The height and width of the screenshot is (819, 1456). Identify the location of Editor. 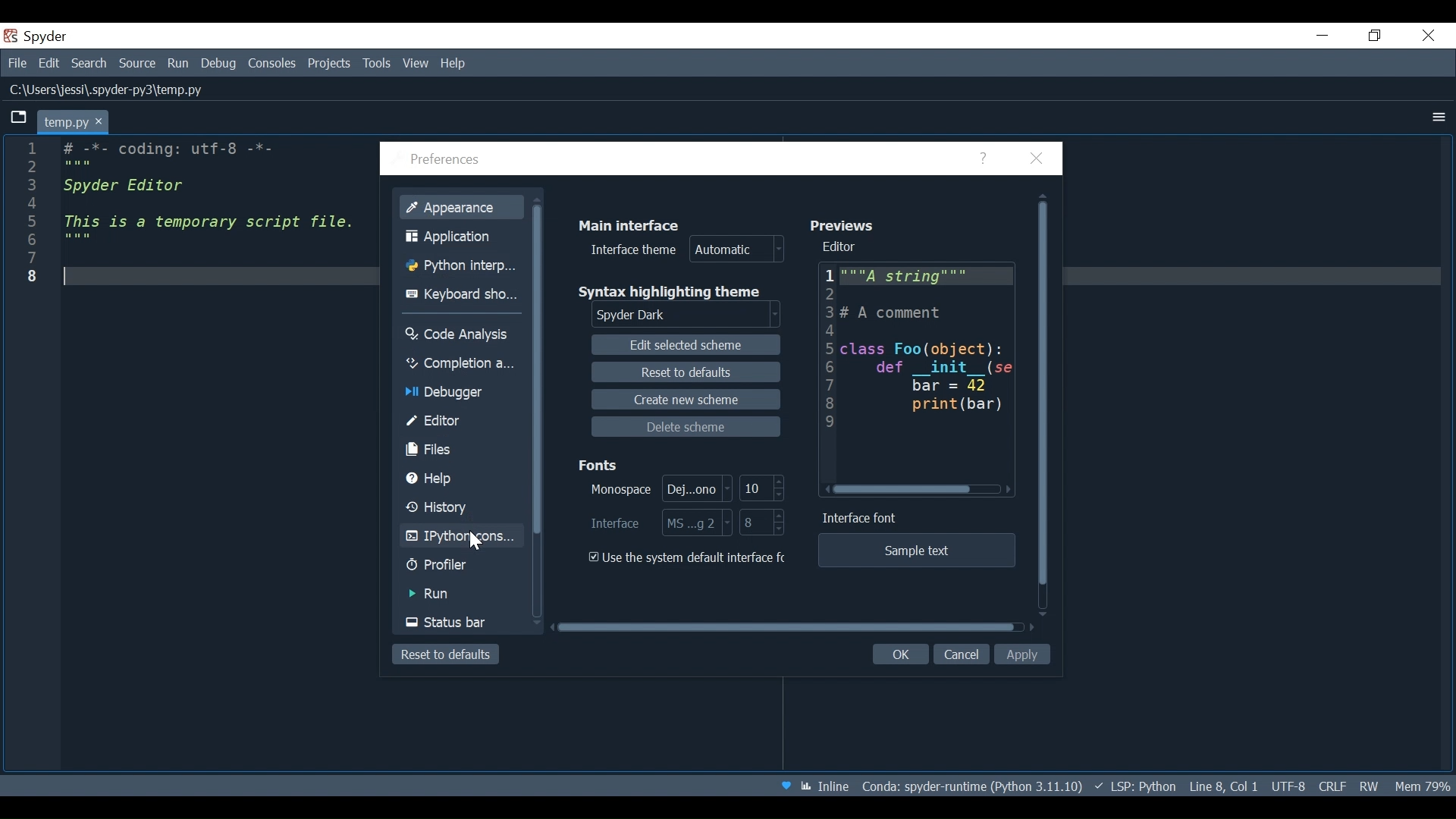
(842, 246).